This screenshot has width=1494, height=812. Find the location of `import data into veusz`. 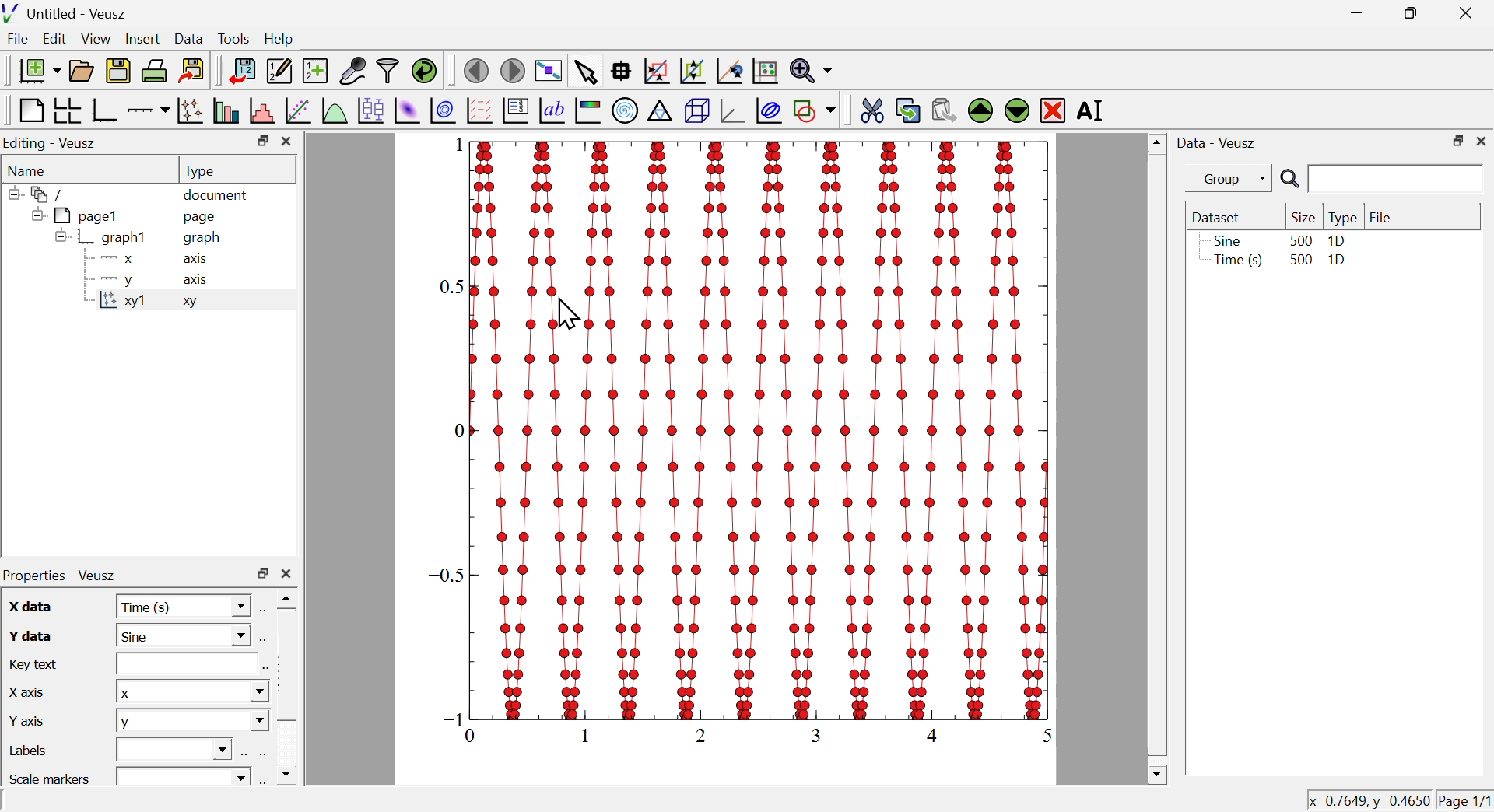

import data into veusz is located at coordinates (240, 72).